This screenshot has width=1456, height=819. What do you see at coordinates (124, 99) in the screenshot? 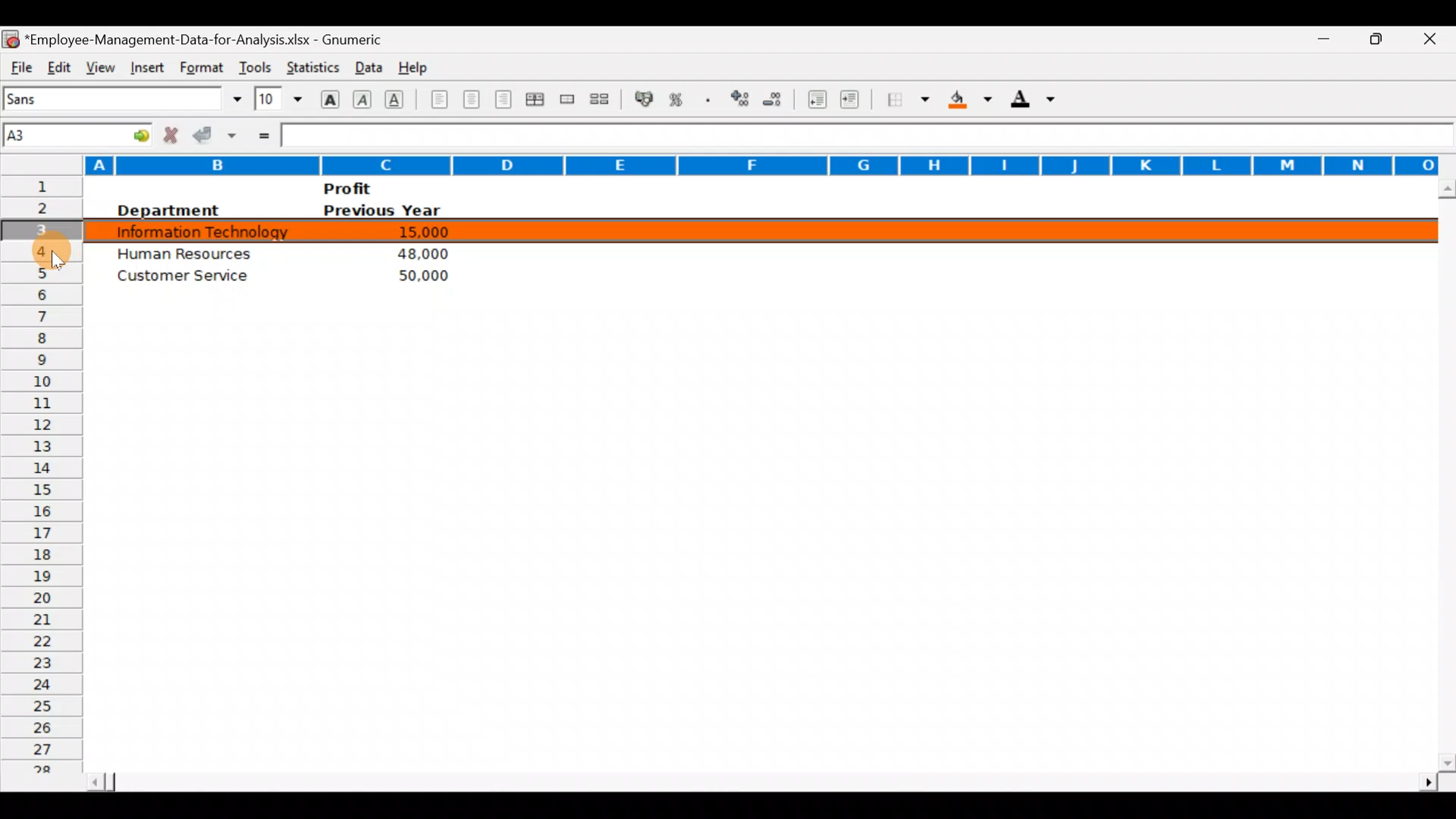
I see `Font name` at bounding box center [124, 99].